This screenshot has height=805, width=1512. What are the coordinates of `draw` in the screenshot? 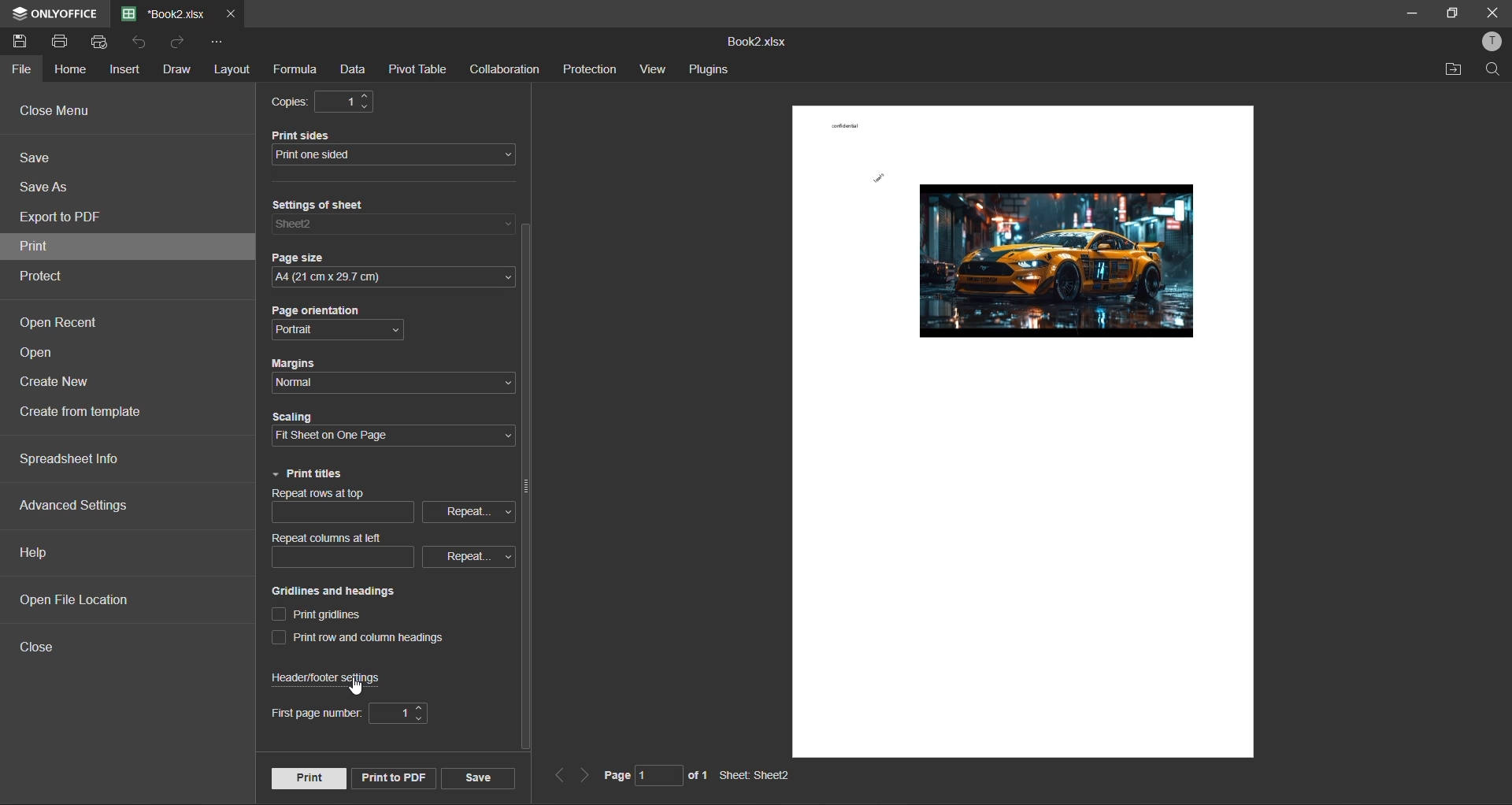 It's located at (177, 71).